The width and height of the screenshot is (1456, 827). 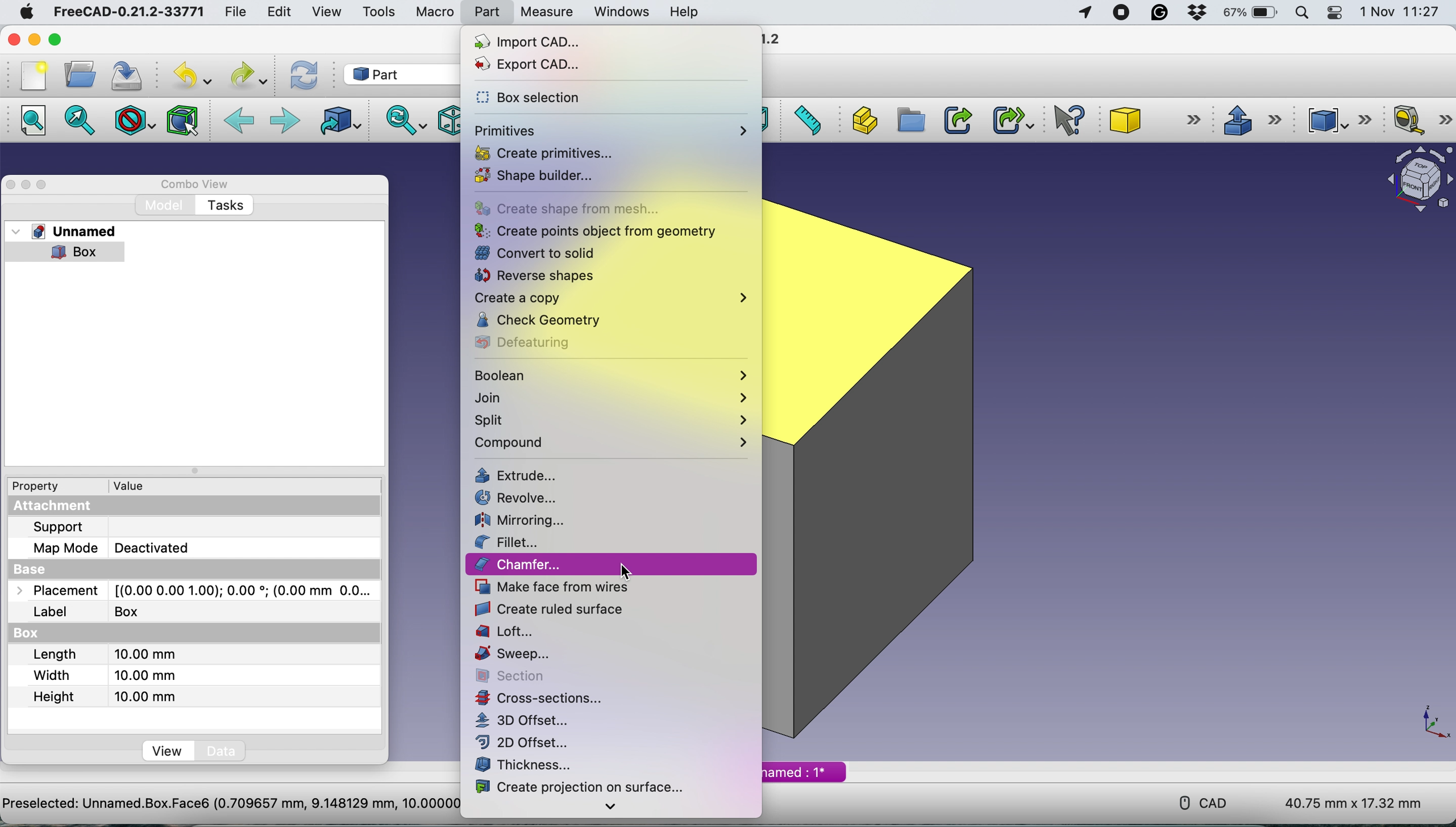 What do you see at coordinates (550, 12) in the screenshot?
I see `measure` at bounding box center [550, 12].